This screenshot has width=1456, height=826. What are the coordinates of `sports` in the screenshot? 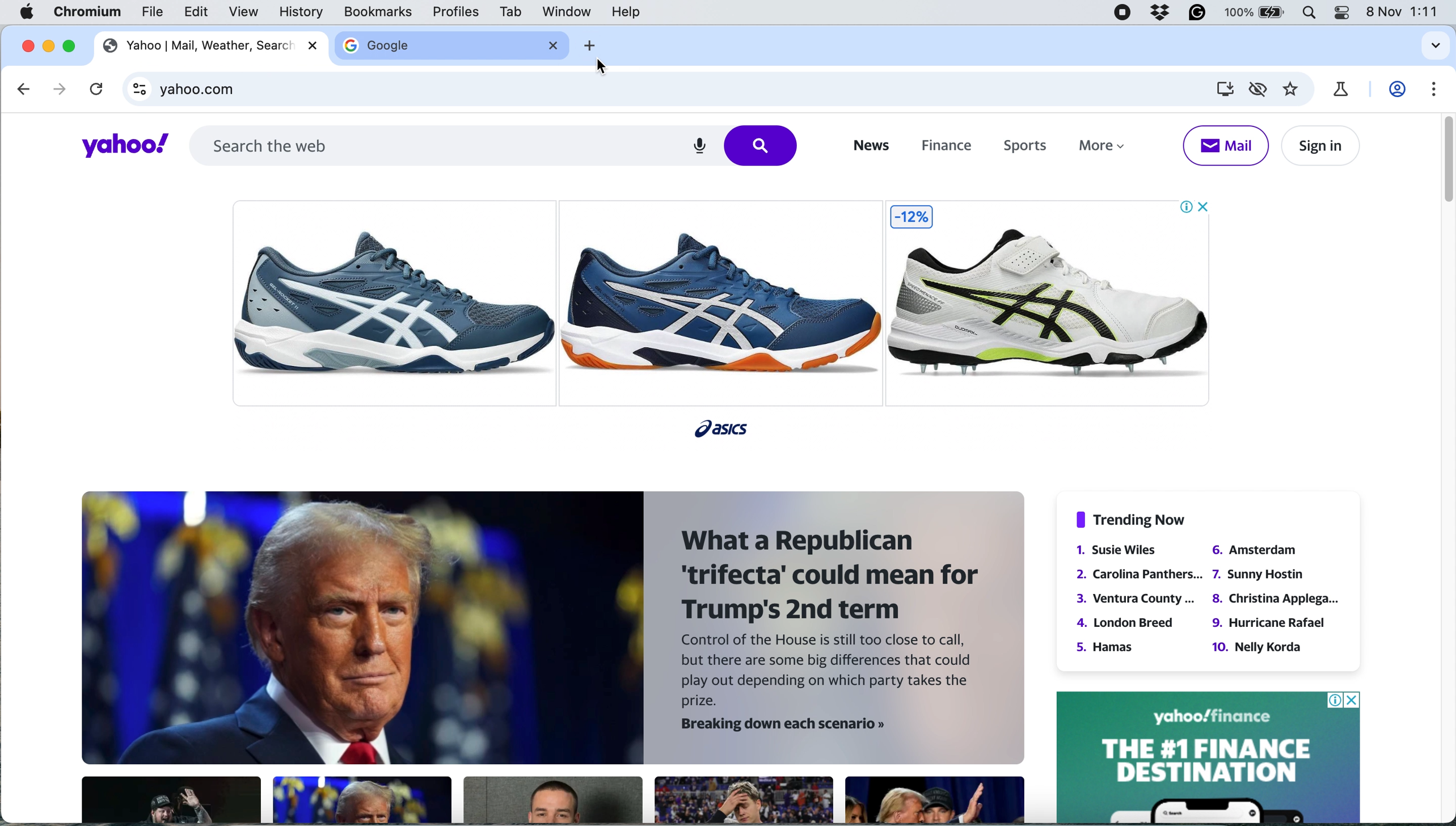 It's located at (1020, 147).